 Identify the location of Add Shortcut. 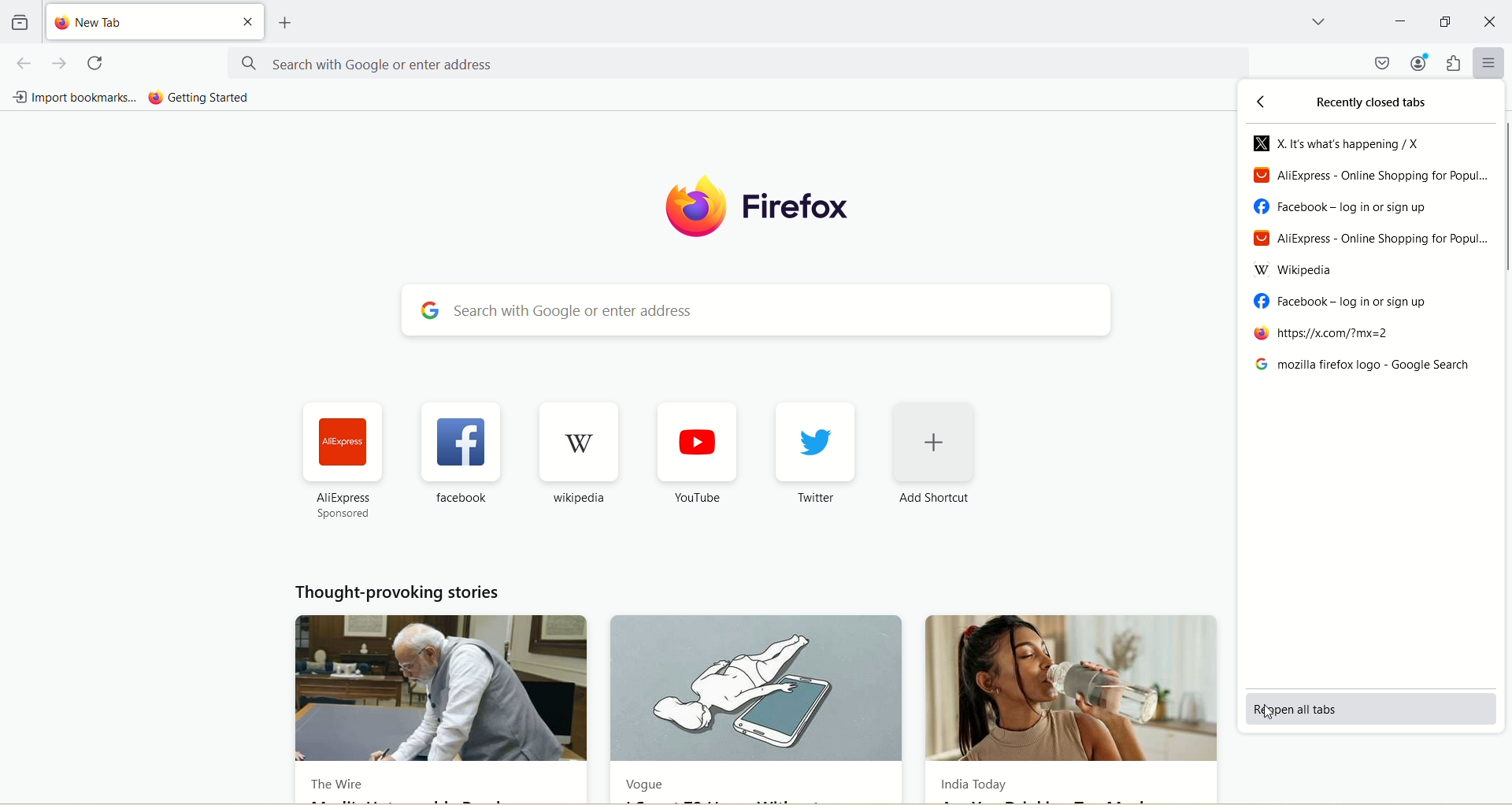
(934, 500).